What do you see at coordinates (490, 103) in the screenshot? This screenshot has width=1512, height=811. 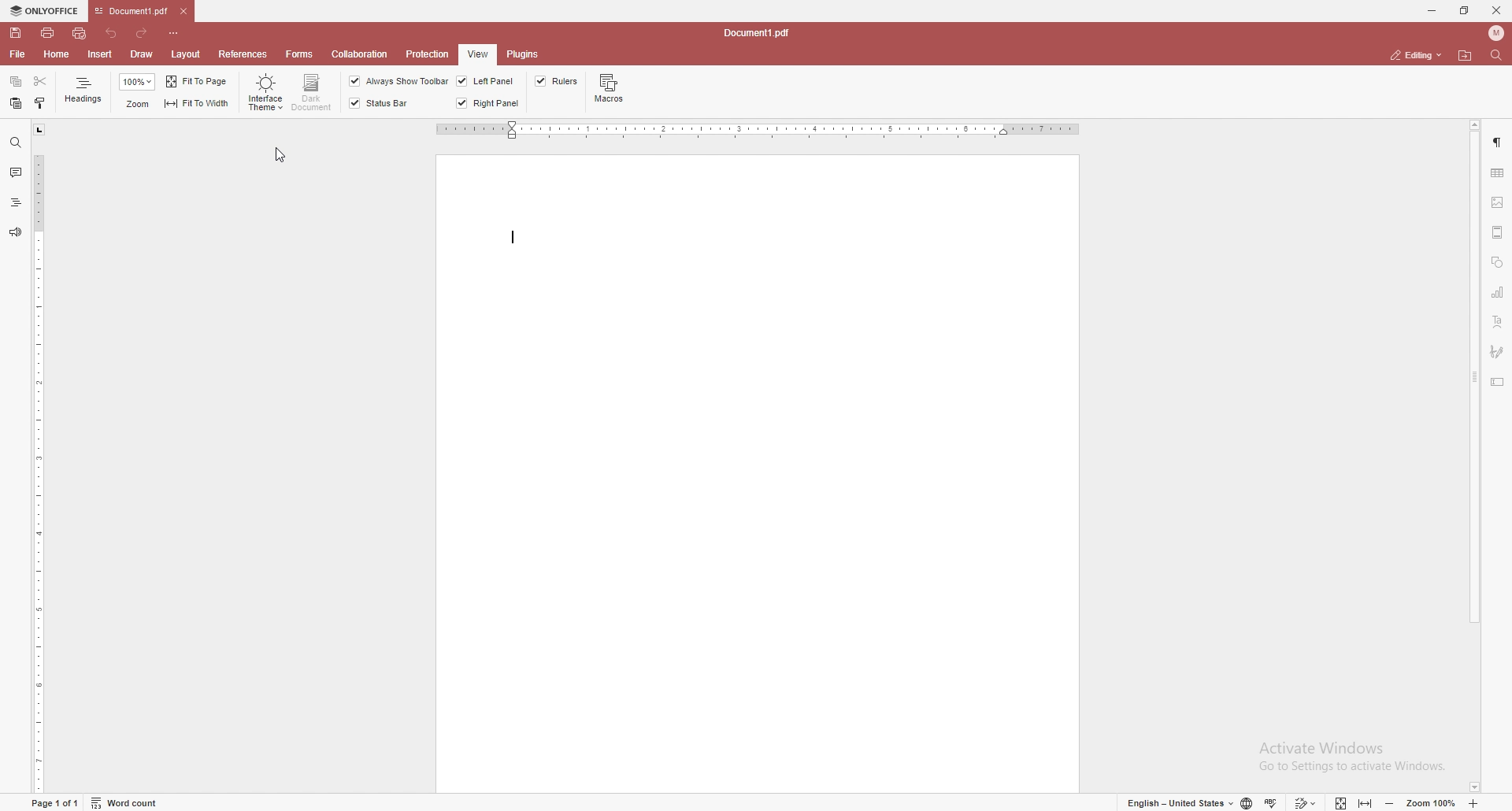 I see `right panel` at bounding box center [490, 103].